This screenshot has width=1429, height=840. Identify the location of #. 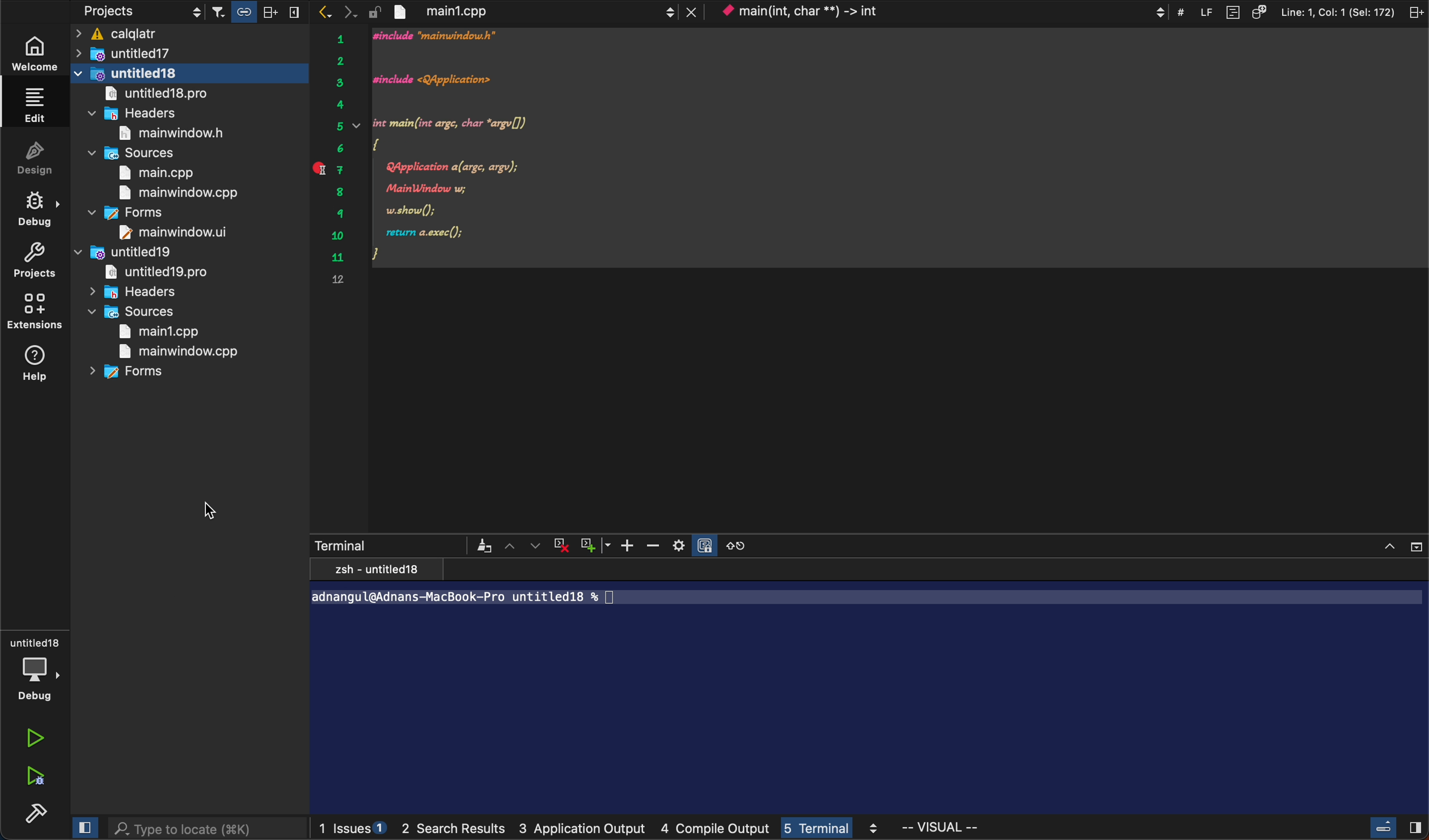
(1182, 11).